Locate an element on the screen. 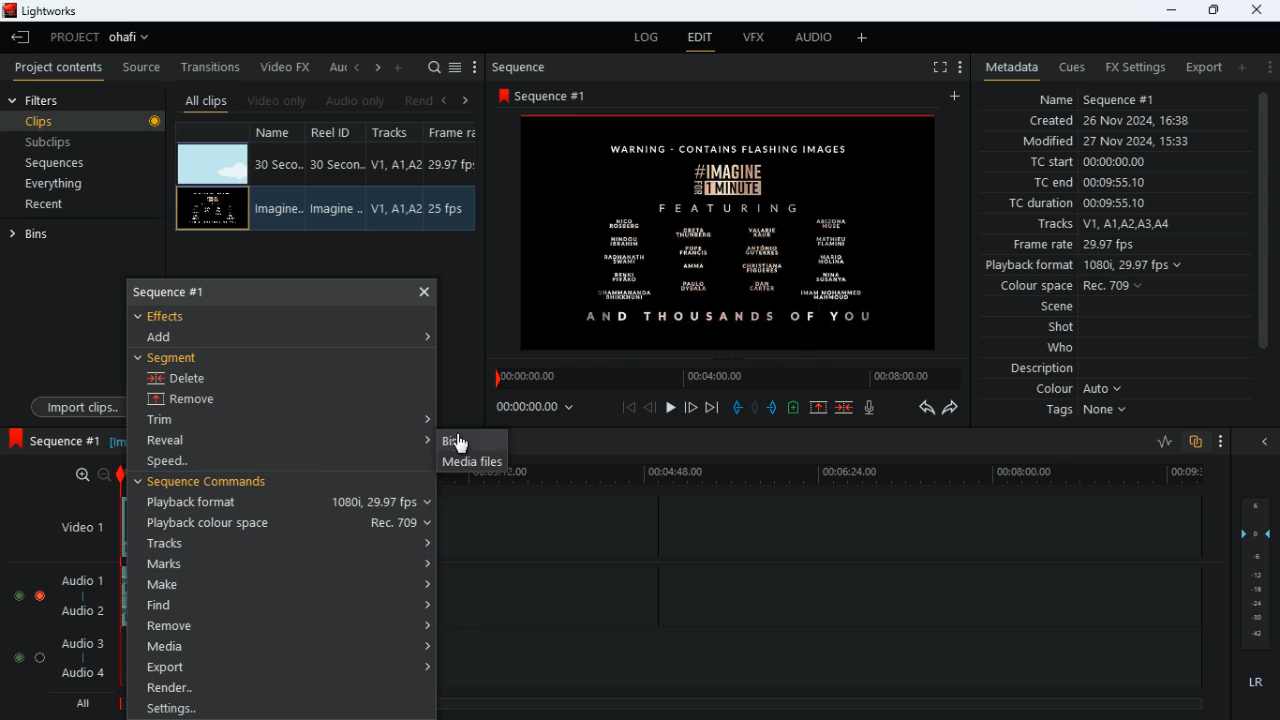 The height and width of the screenshot is (720, 1280). Accordion is located at coordinates (430, 417).